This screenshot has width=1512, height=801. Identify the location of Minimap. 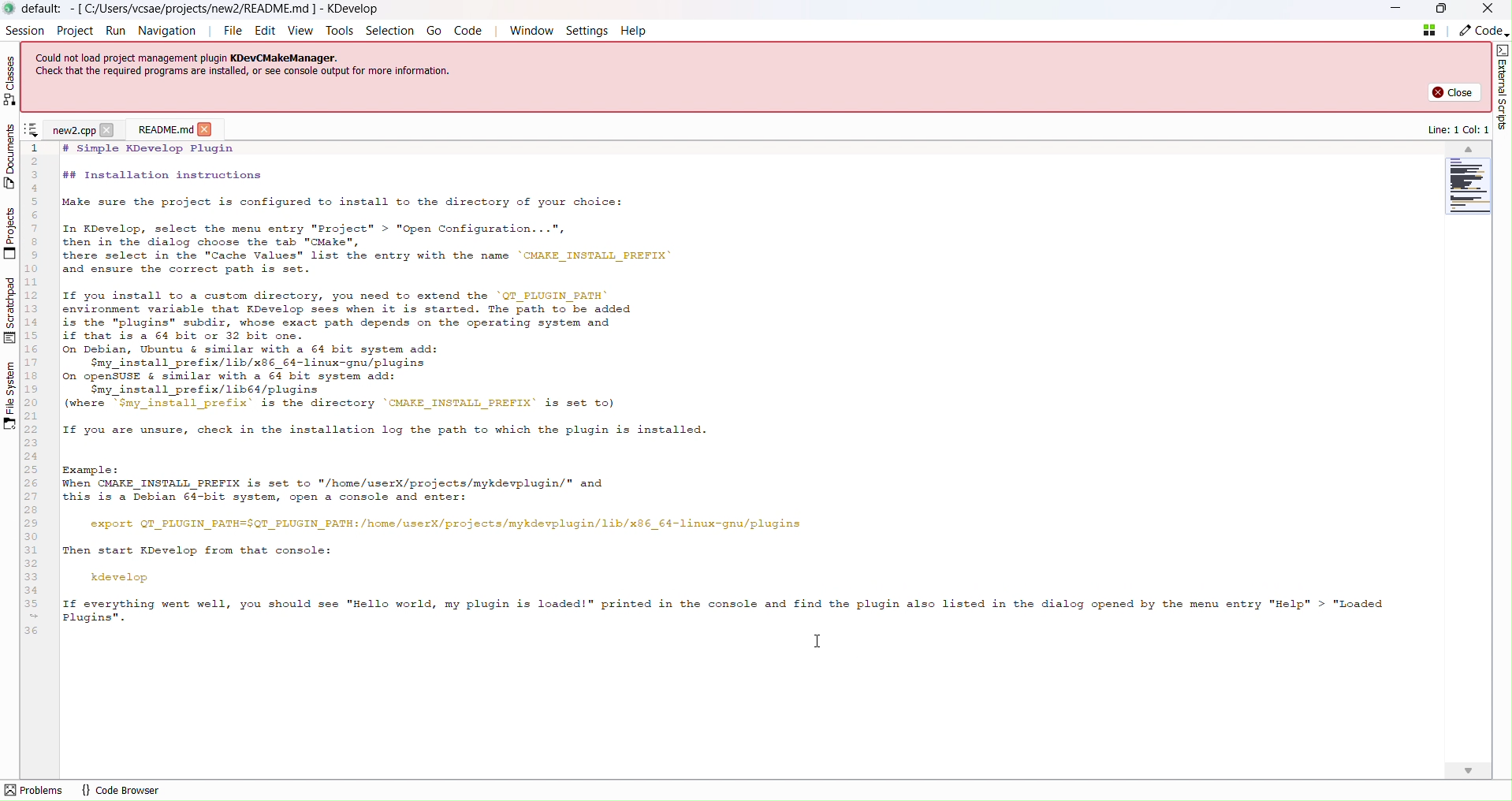
(1469, 189).